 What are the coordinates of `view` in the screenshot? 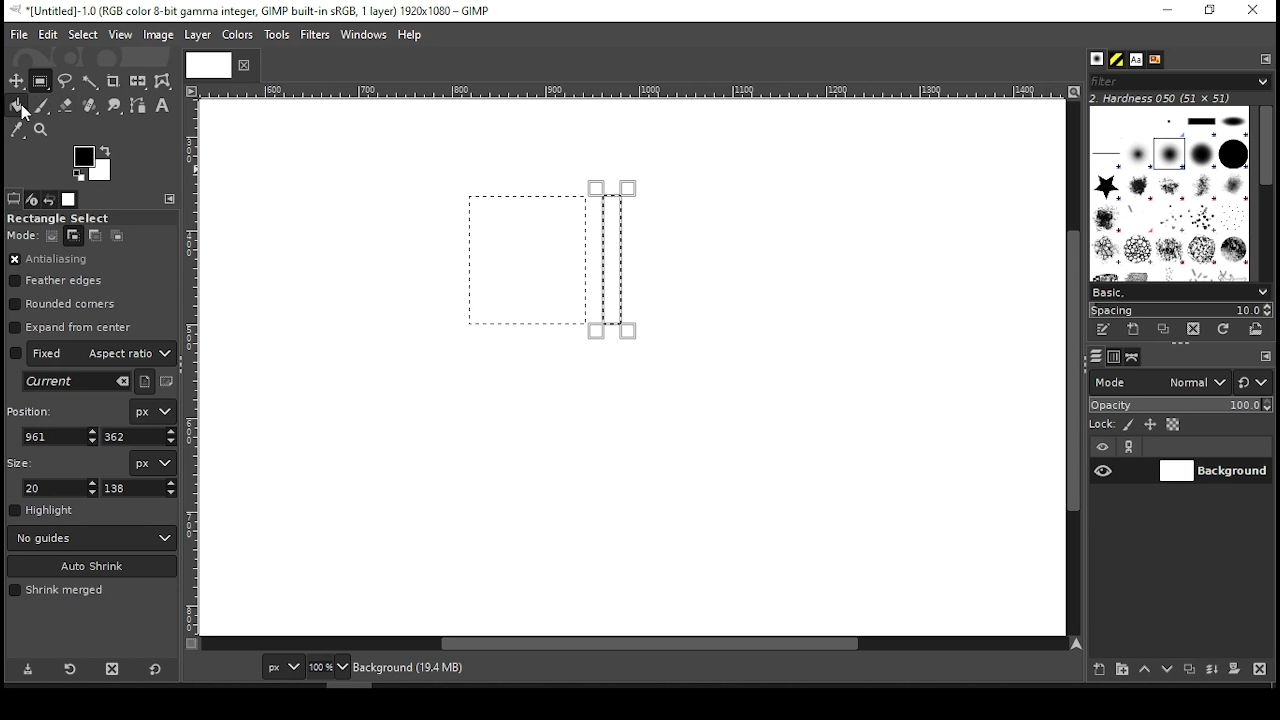 It's located at (121, 36).